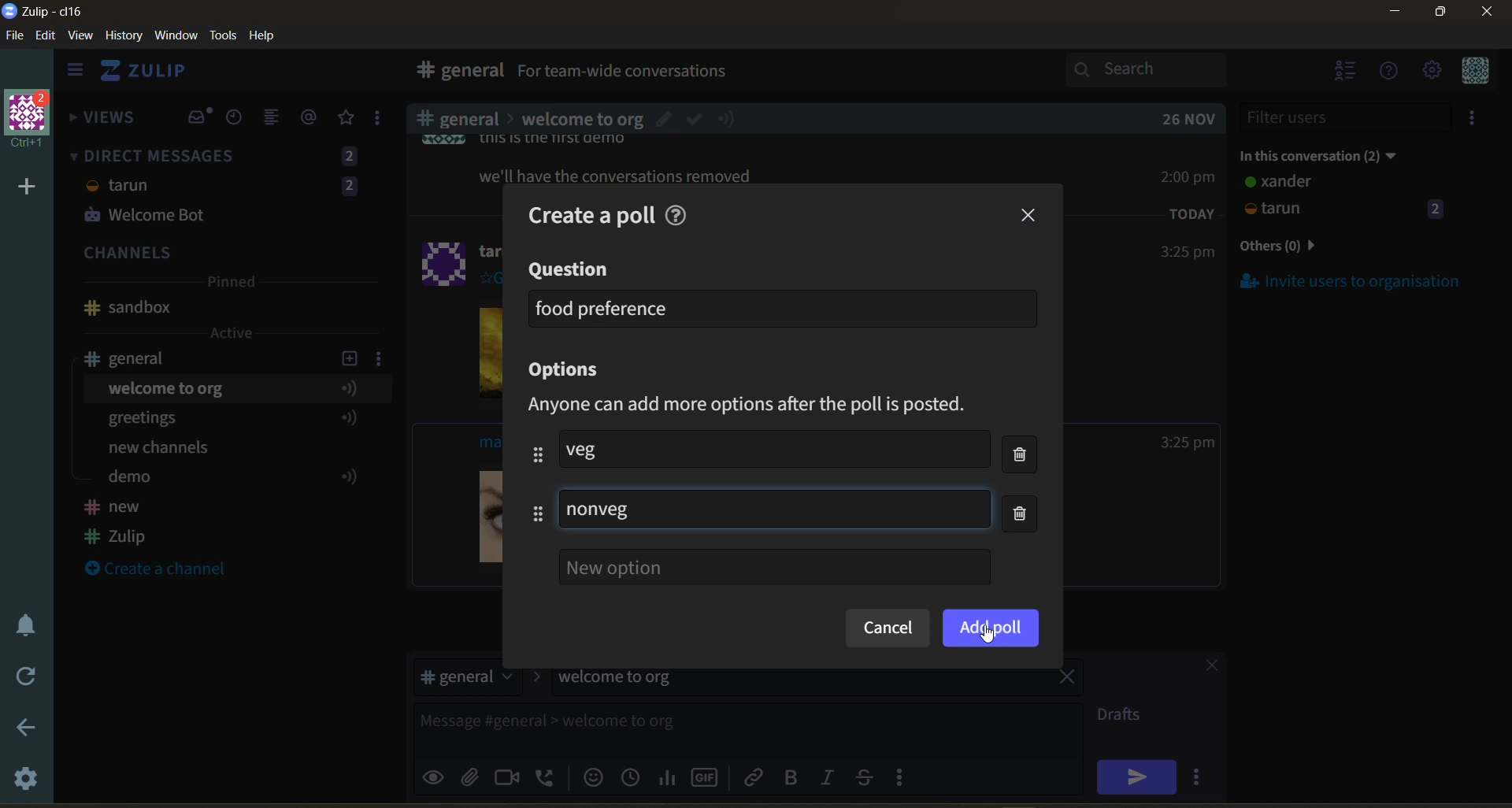 Image resolution: width=1512 pixels, height=808 pixels. I want to click on close, so click(1488, 17).